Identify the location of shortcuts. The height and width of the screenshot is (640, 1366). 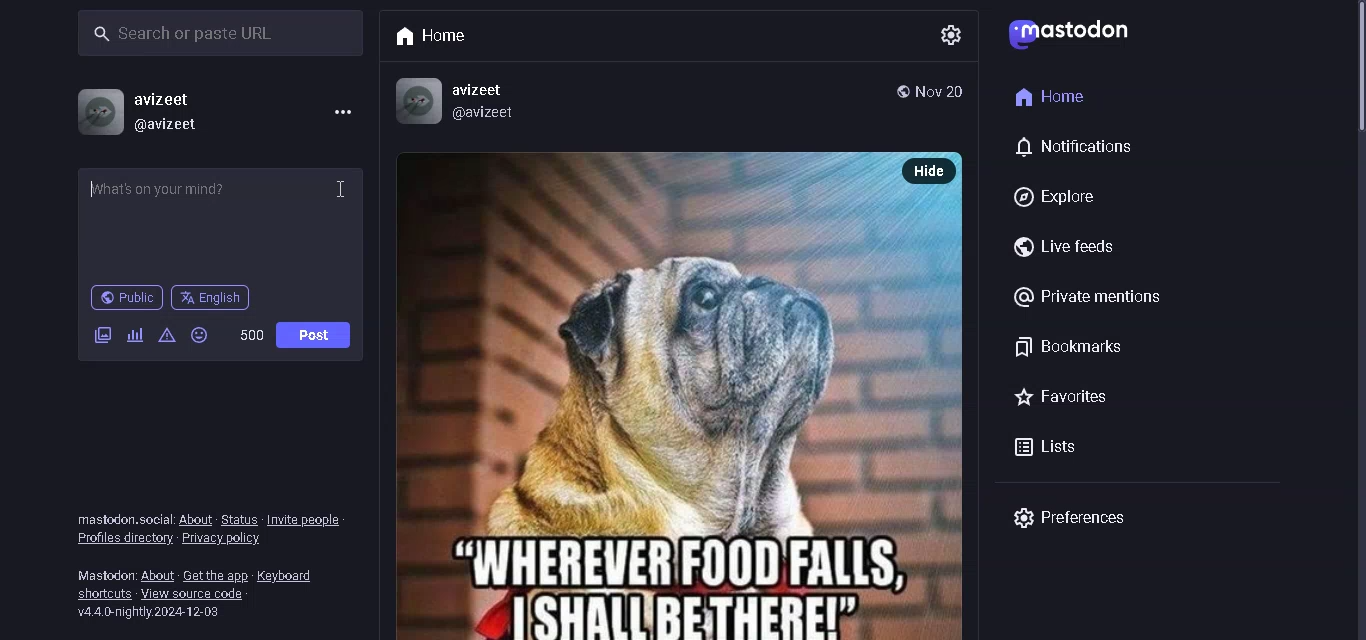
(103, 594).